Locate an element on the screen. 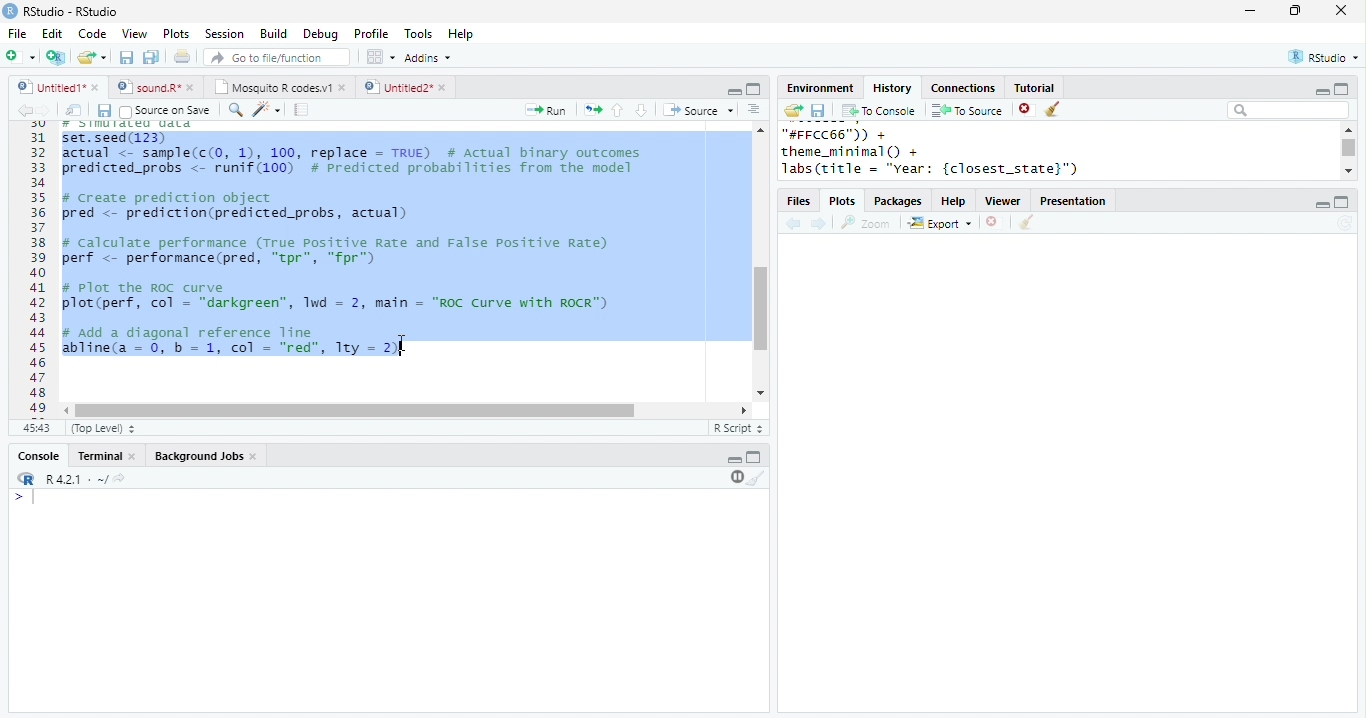 Image resolution: width=1366 pixels, height=718 pixels. History is located at coordinates (892, 88).